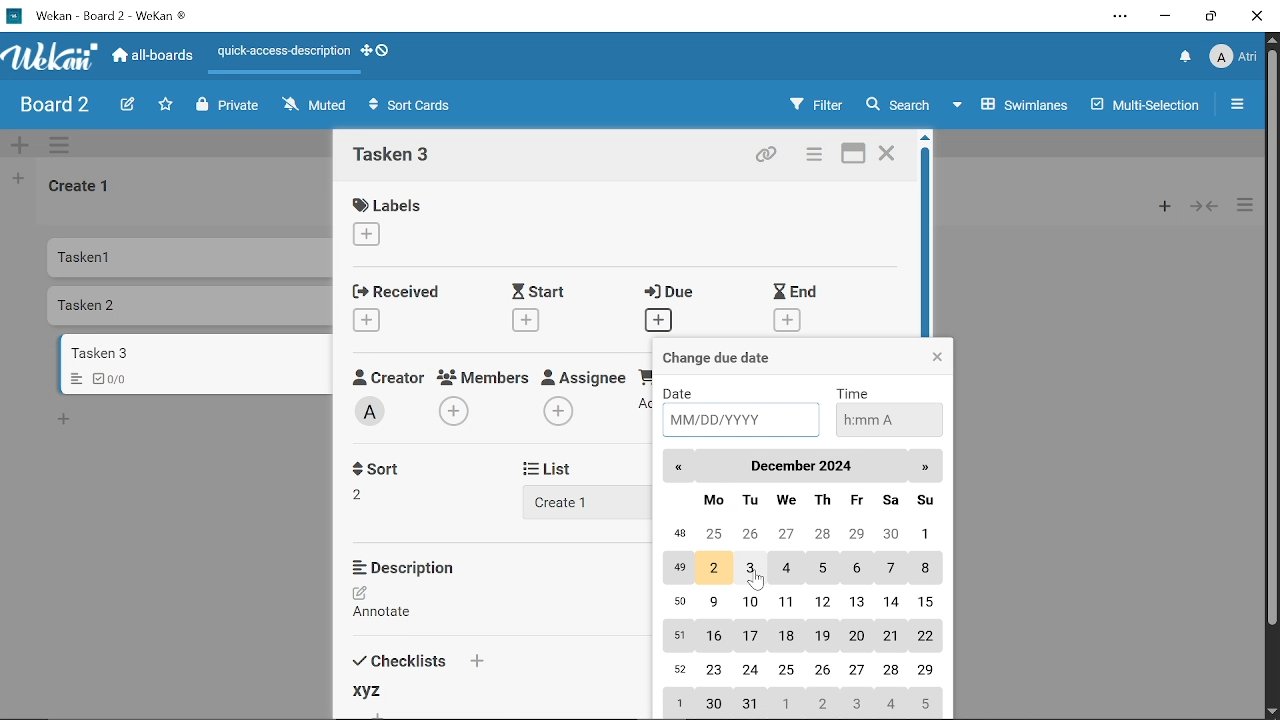 The image size is (1280, 720). Describe the element at coordinates (193, 307) in the screenshot. I see `Card titled "Tasken 2"` at that location.